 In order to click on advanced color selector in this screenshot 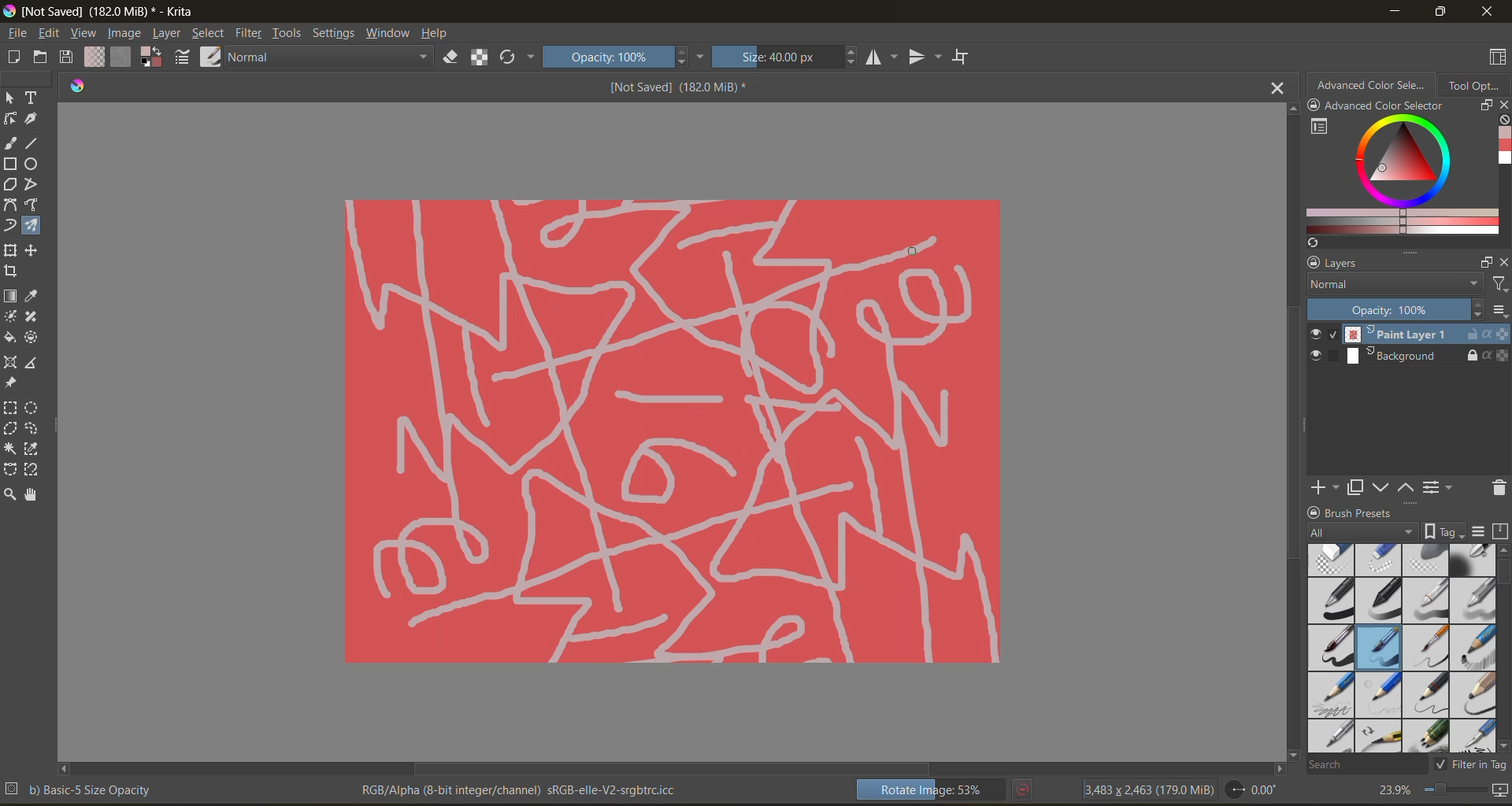, I will do `click(1399, 179)`.